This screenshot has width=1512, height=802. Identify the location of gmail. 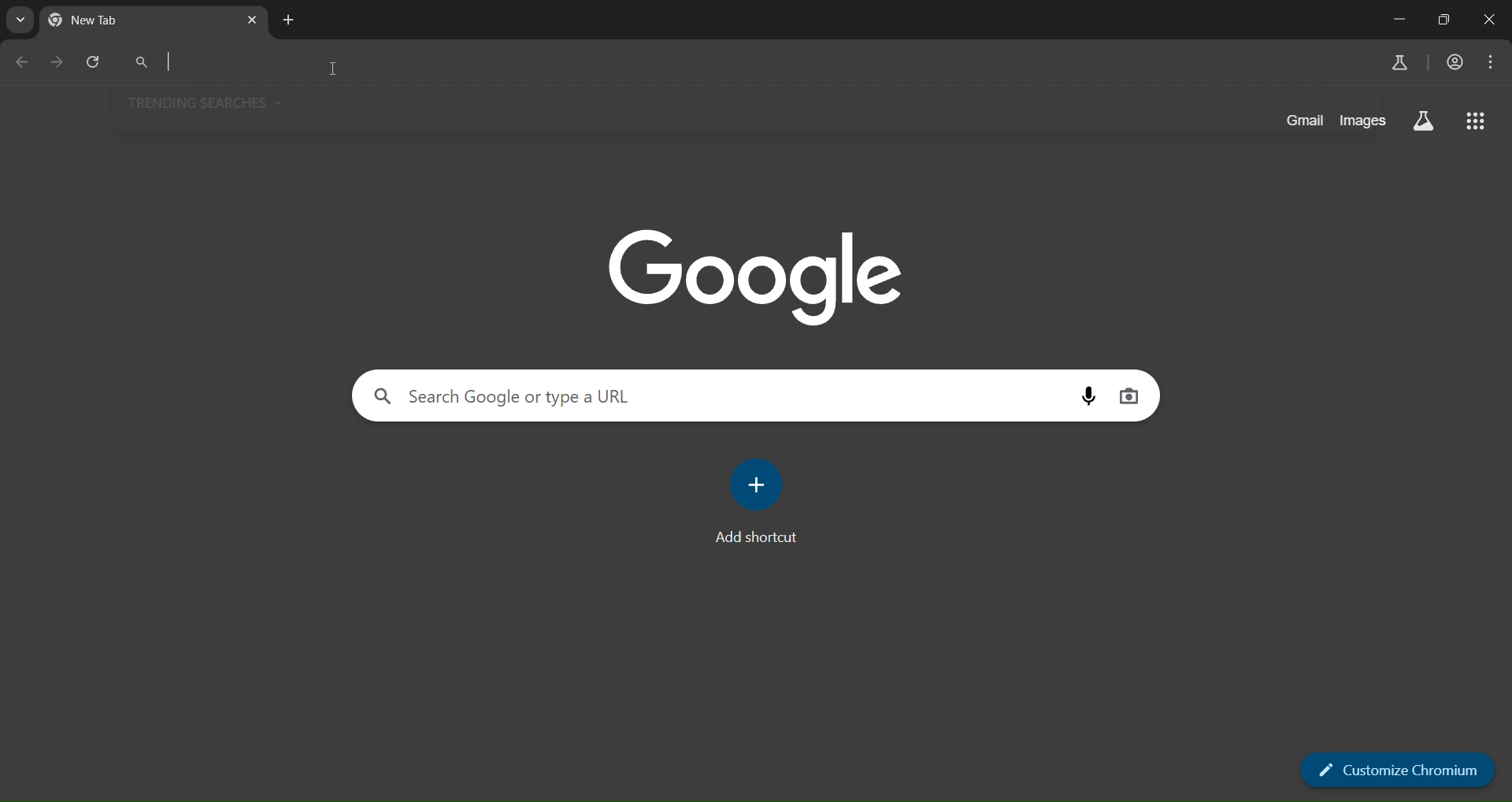
(1301, 121).